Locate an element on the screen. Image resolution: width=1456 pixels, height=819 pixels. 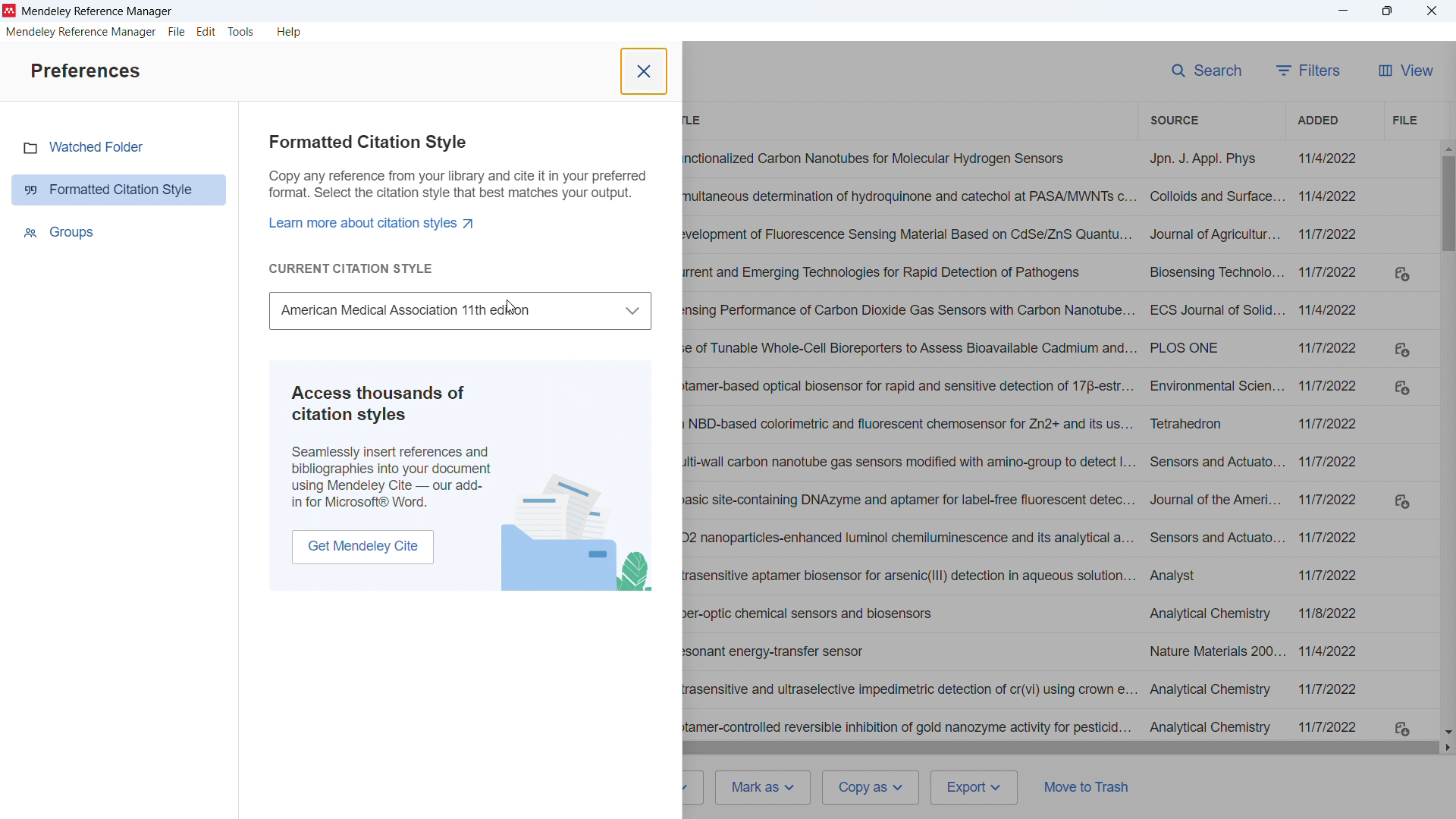
Horizontal scroll bar is located at coordinates (1059, 748).